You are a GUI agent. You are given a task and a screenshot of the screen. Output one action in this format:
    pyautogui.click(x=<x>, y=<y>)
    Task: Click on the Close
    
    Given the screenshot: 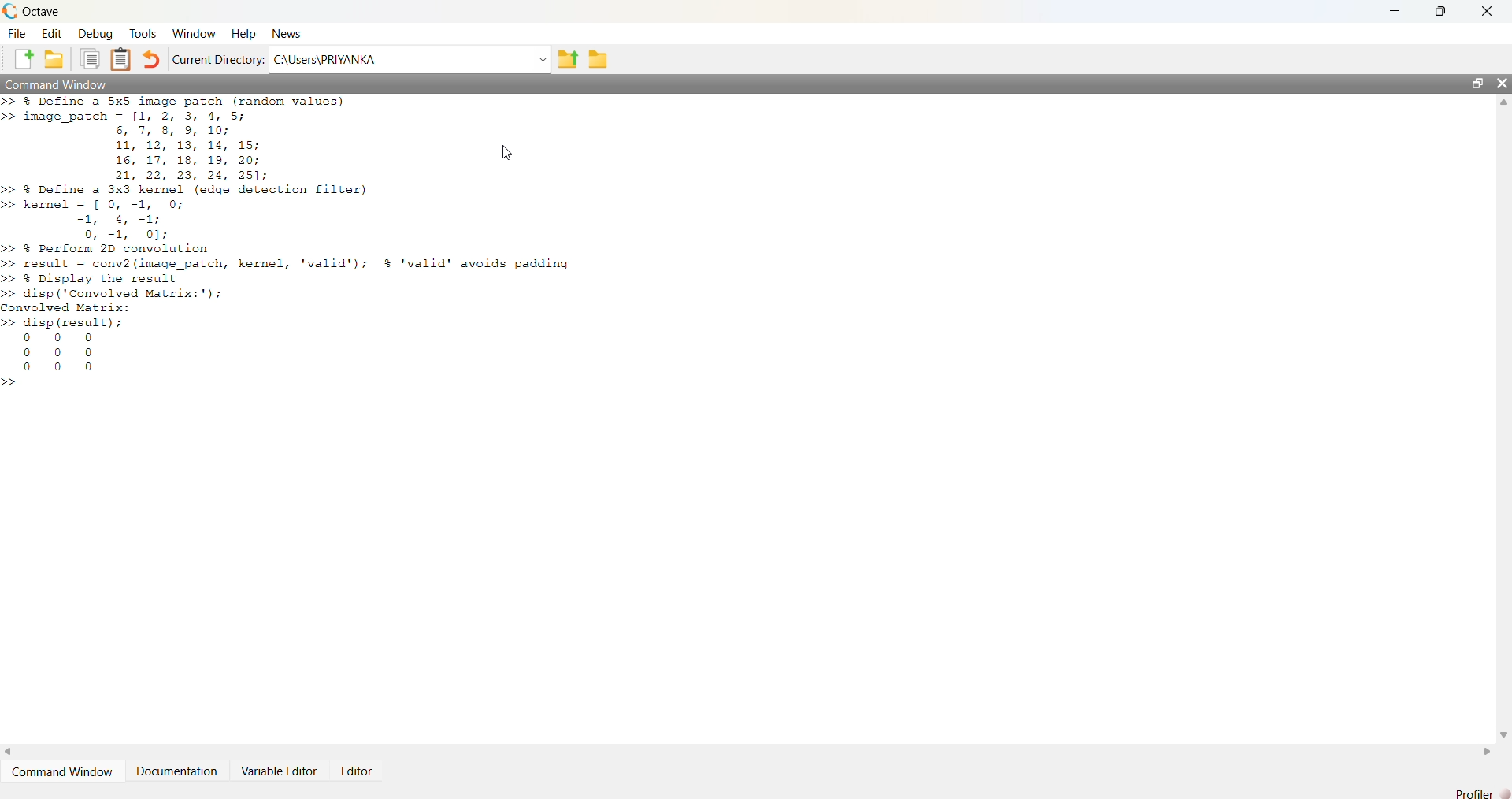 What is the action you would take?
    pyautogui.click(x=1488, y=13)
    